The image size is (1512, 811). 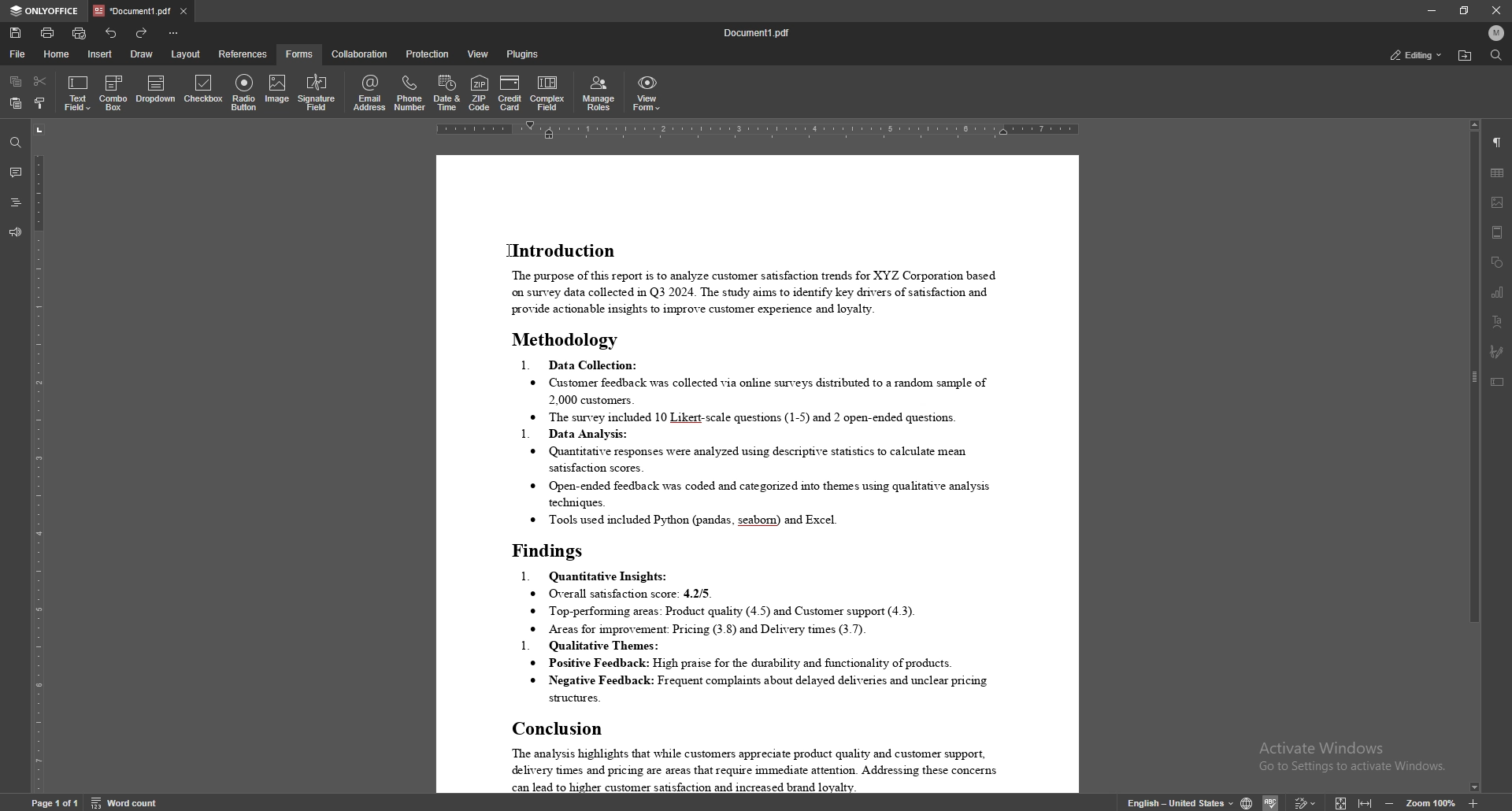 I want to click on date and time, so click(x=447, y=94).